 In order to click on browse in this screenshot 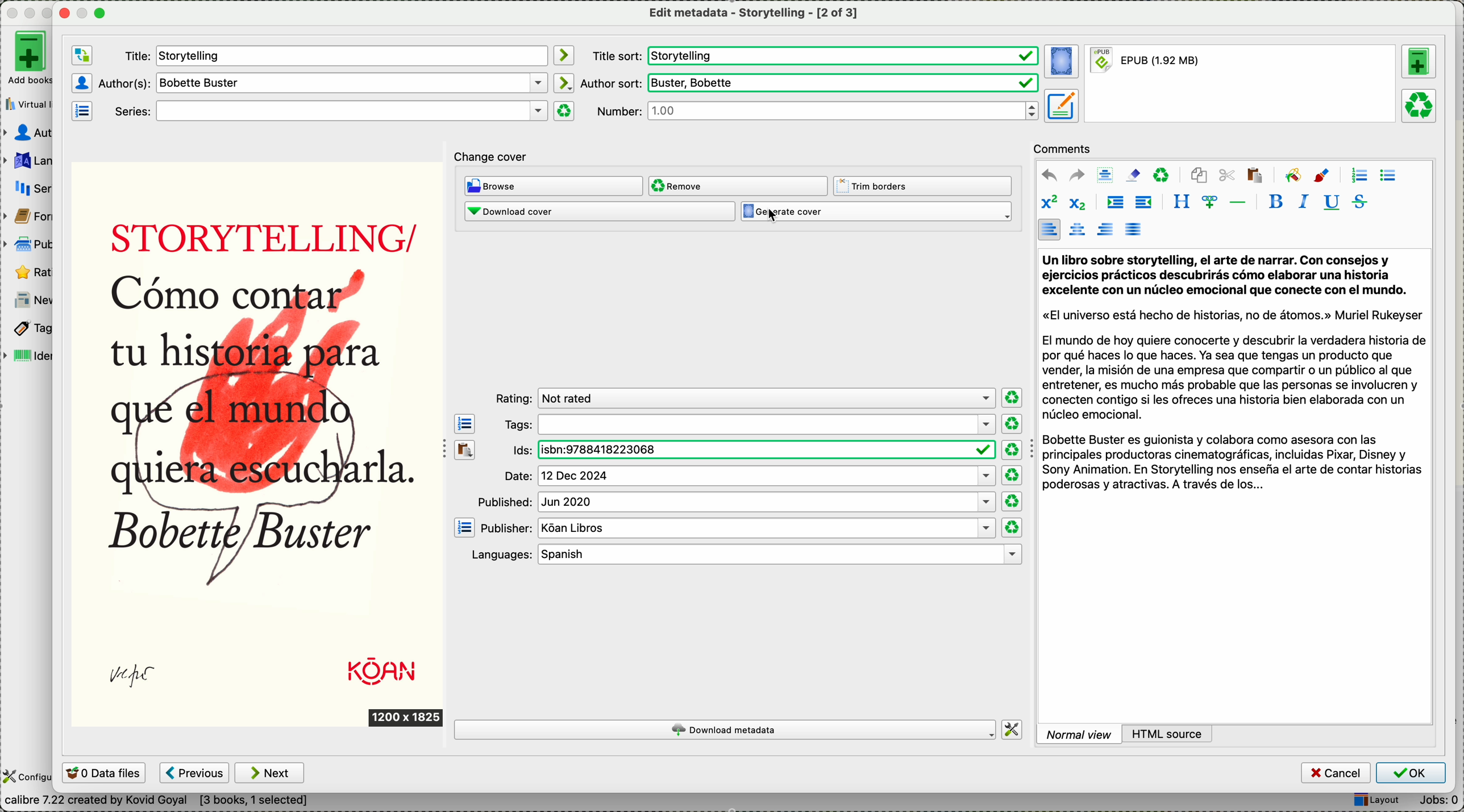, I will do `click(554, 187)`.